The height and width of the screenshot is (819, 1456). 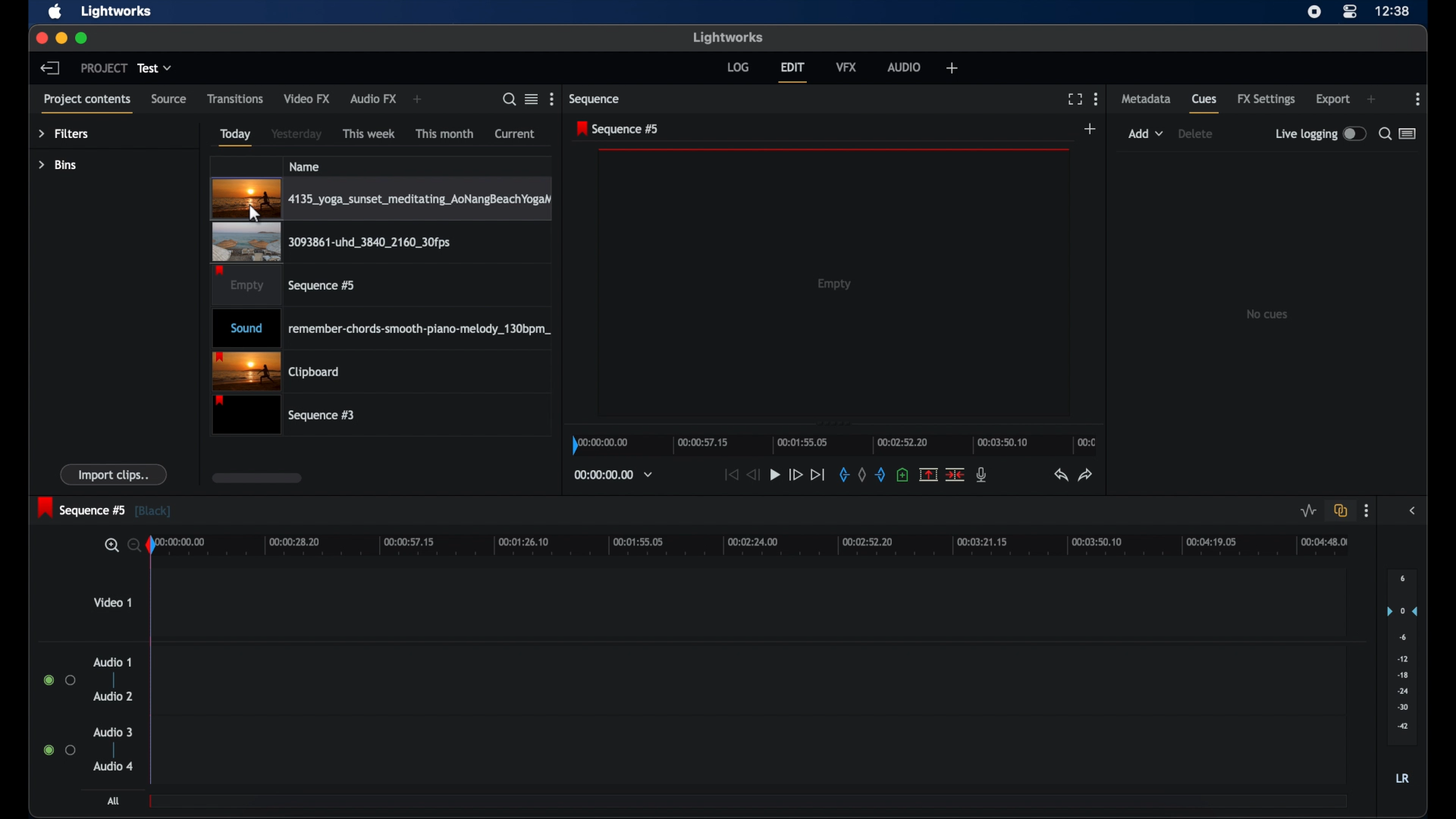 What do you see at coordinates (1198, 134) in the screenshot?
I see `delete` at bounding box center [1198, 134].